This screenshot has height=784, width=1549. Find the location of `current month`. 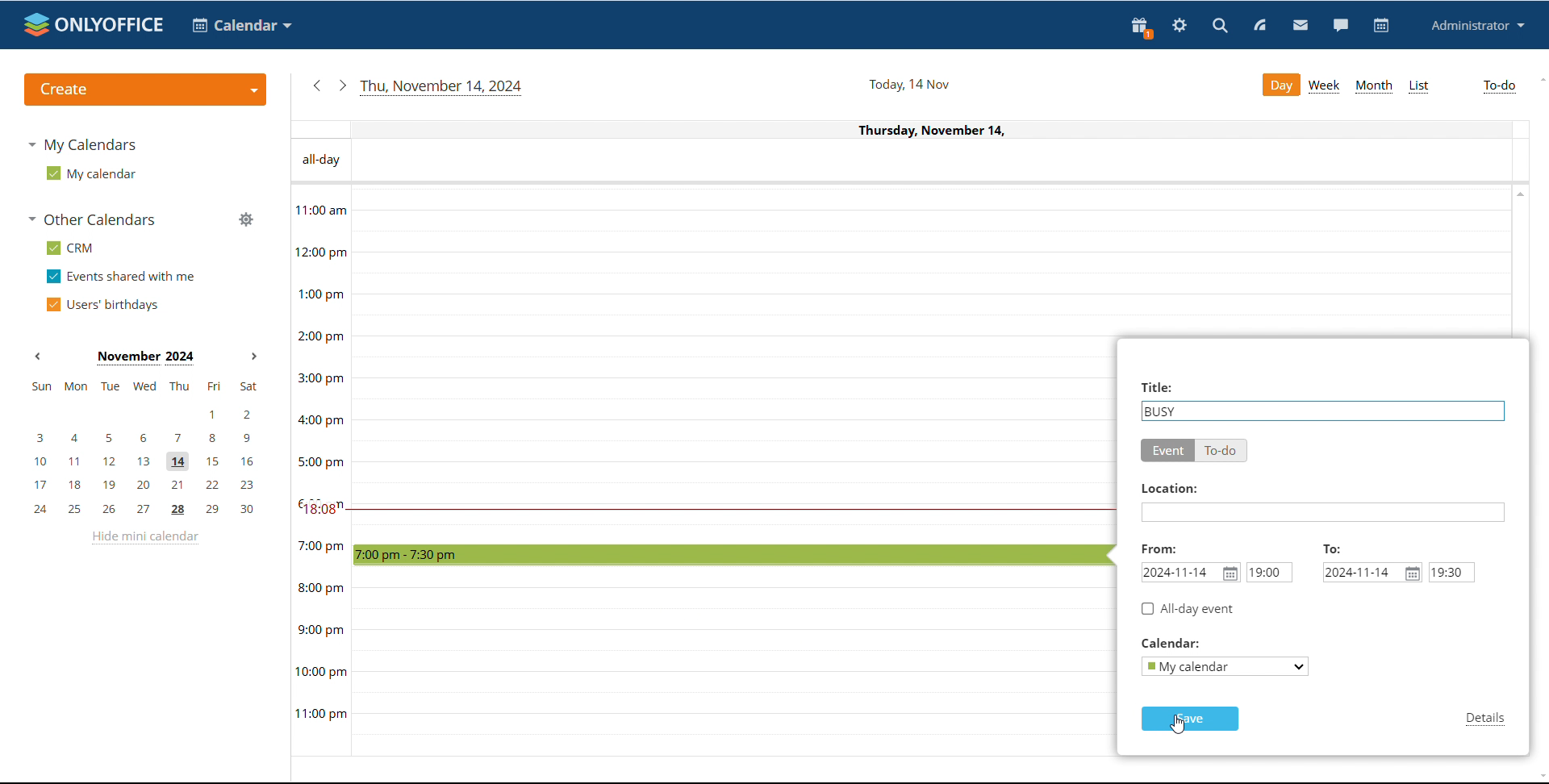

current month is located at coordinates (145, 358).